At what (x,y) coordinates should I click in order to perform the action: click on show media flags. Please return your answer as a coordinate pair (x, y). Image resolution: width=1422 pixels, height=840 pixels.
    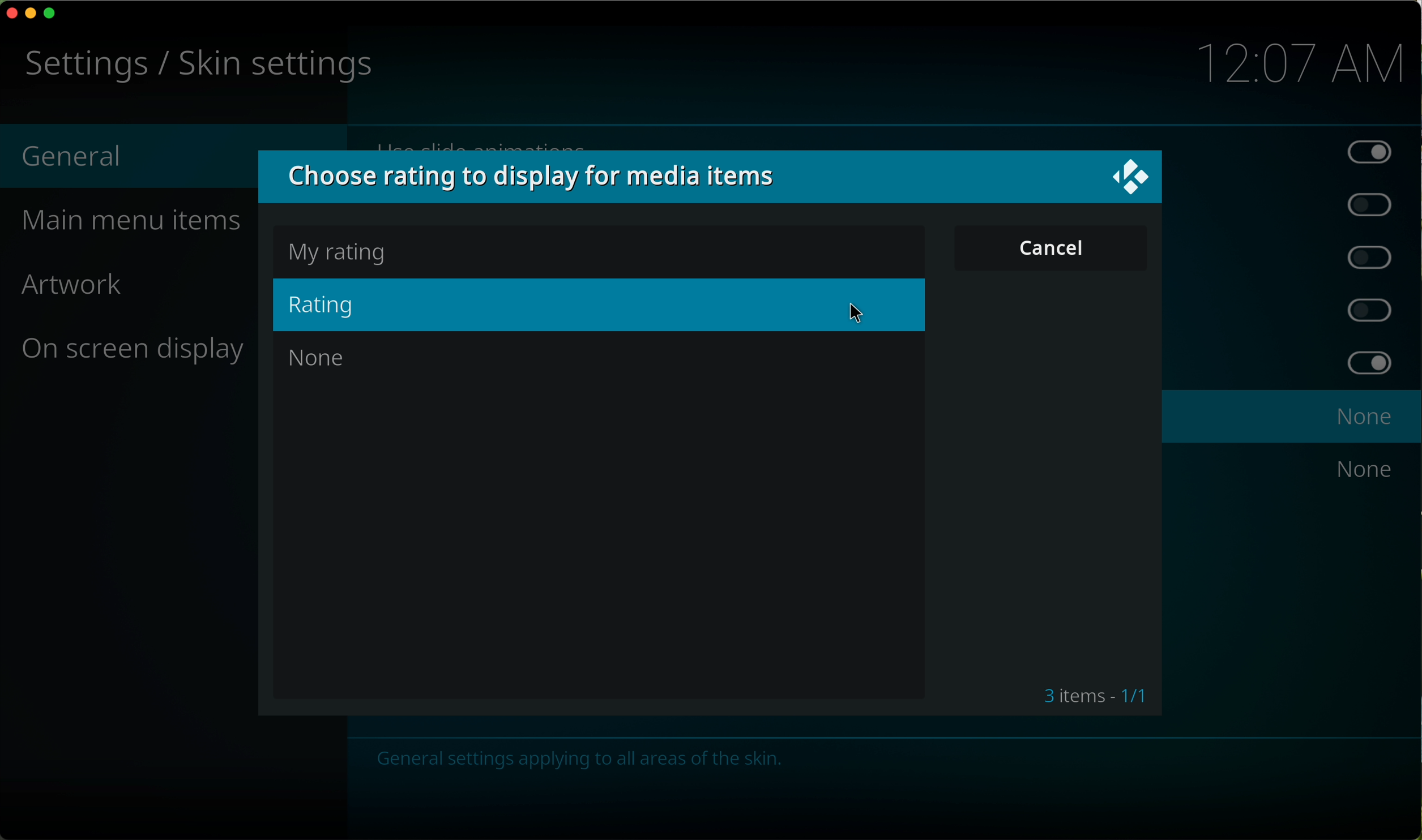
    Looking at the image, I should click on (1372, 365).